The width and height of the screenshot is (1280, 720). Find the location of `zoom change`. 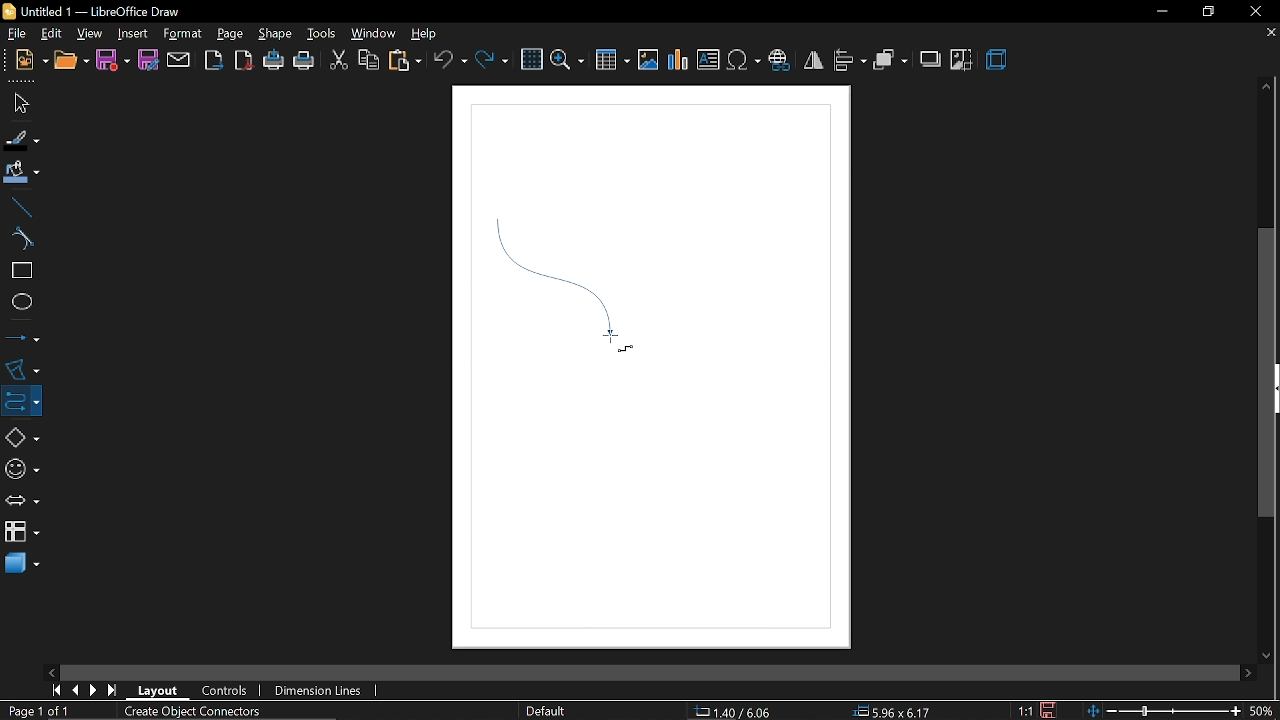

zoom change is located at coordinates (1166, 712).